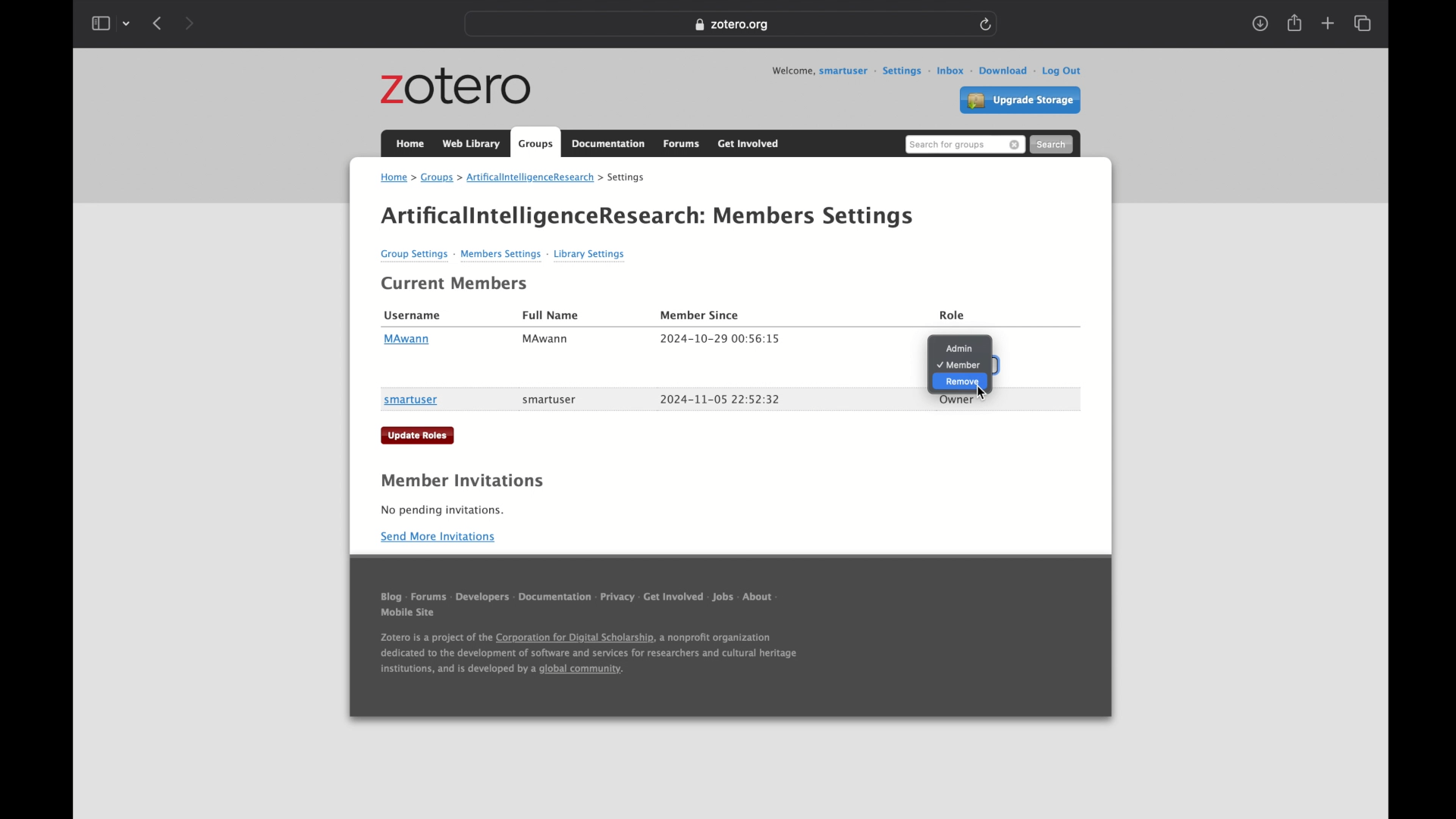 This screenshot has width=1456, height=819. Describe the element at coordinates (997, 71) in the screenshot. I see `download ` at that location.